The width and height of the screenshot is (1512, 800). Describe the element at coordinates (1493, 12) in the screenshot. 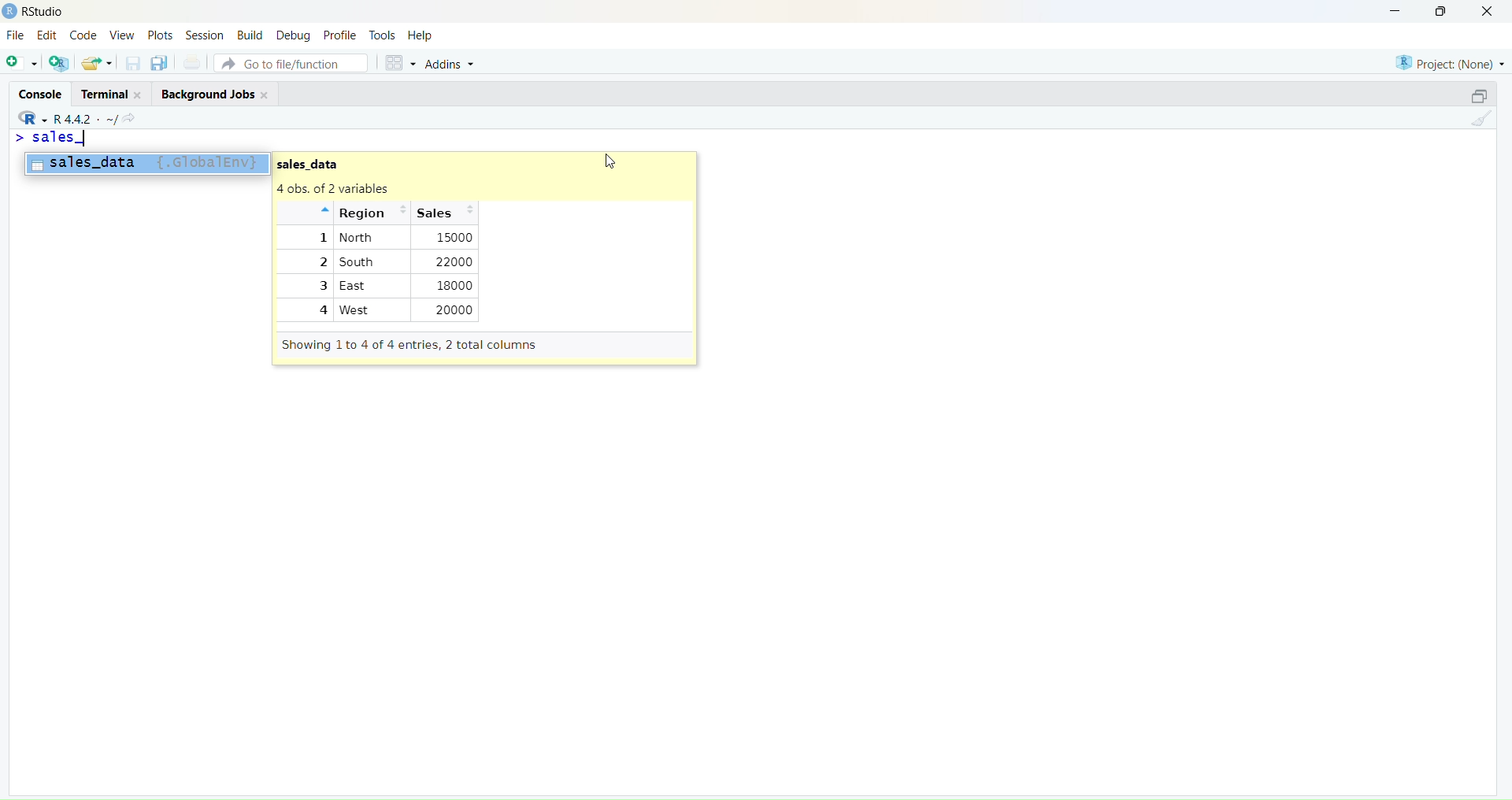

I see `close` at that location.